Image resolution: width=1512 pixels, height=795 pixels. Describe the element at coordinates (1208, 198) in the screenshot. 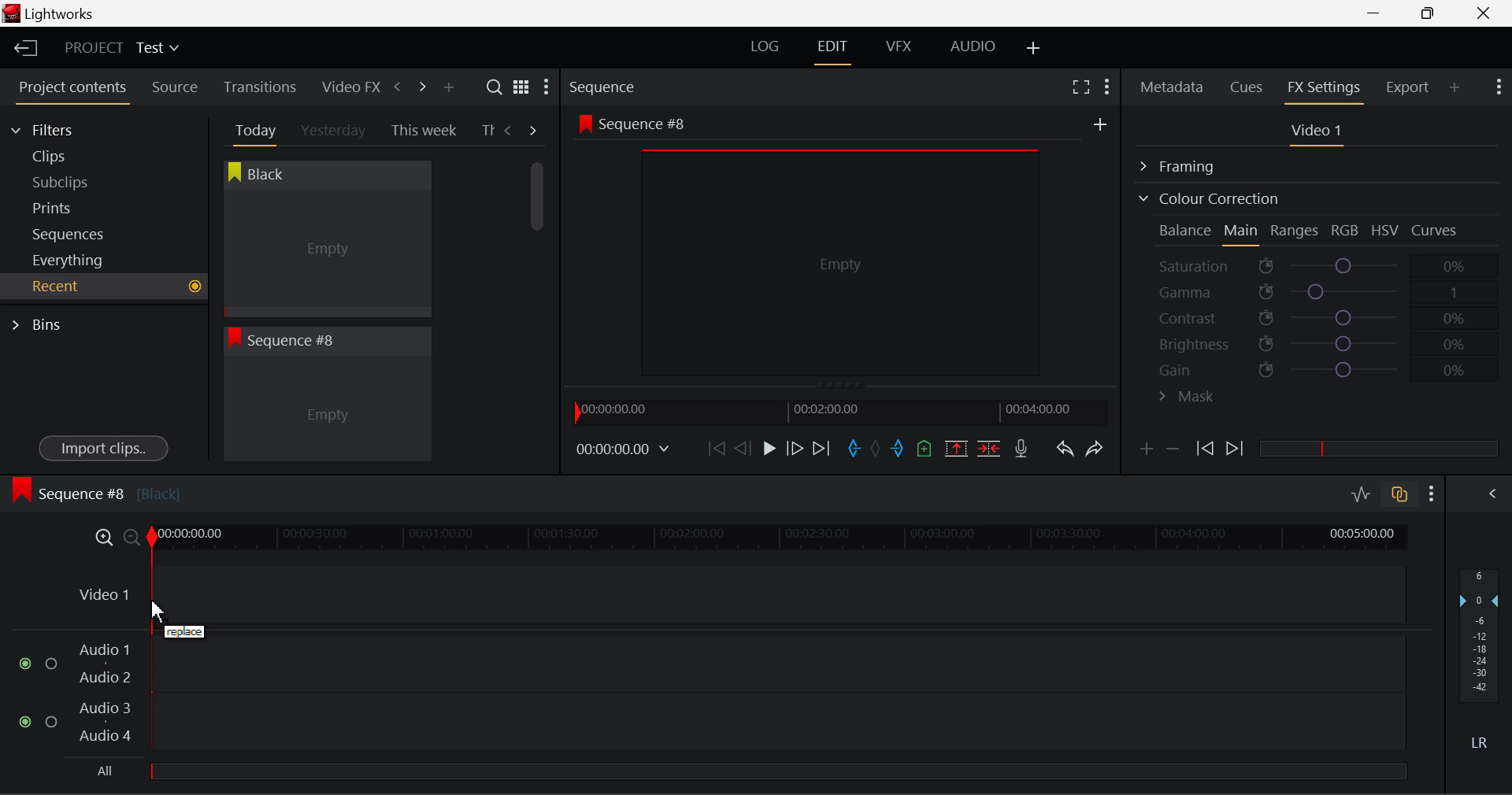

I see `Colour Correction` at that location.